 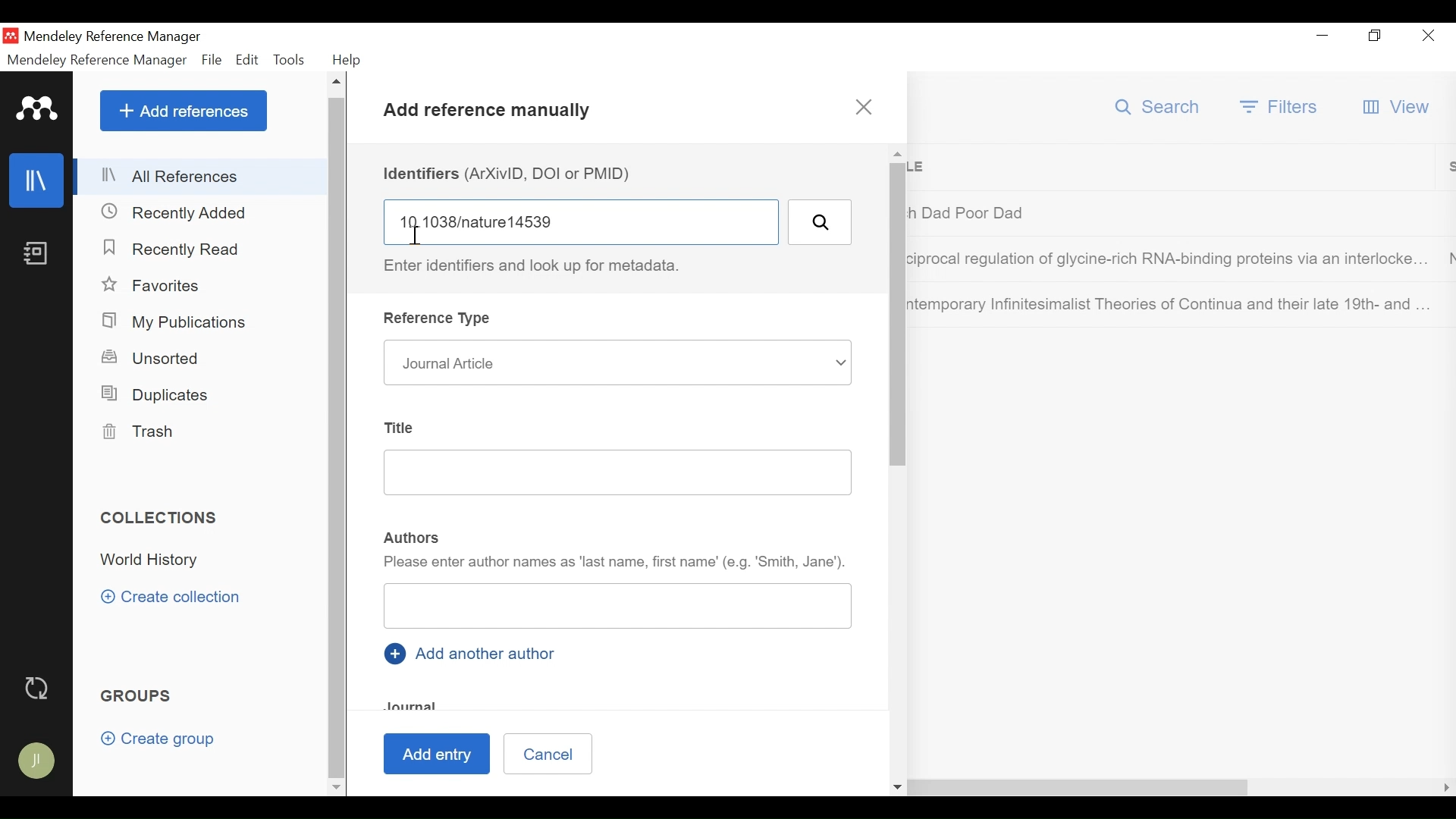 What do you see at coordinates (98, 60) in the screenshot?
I see `Mendeley Reference Manager` at bounding box center [98, 60].